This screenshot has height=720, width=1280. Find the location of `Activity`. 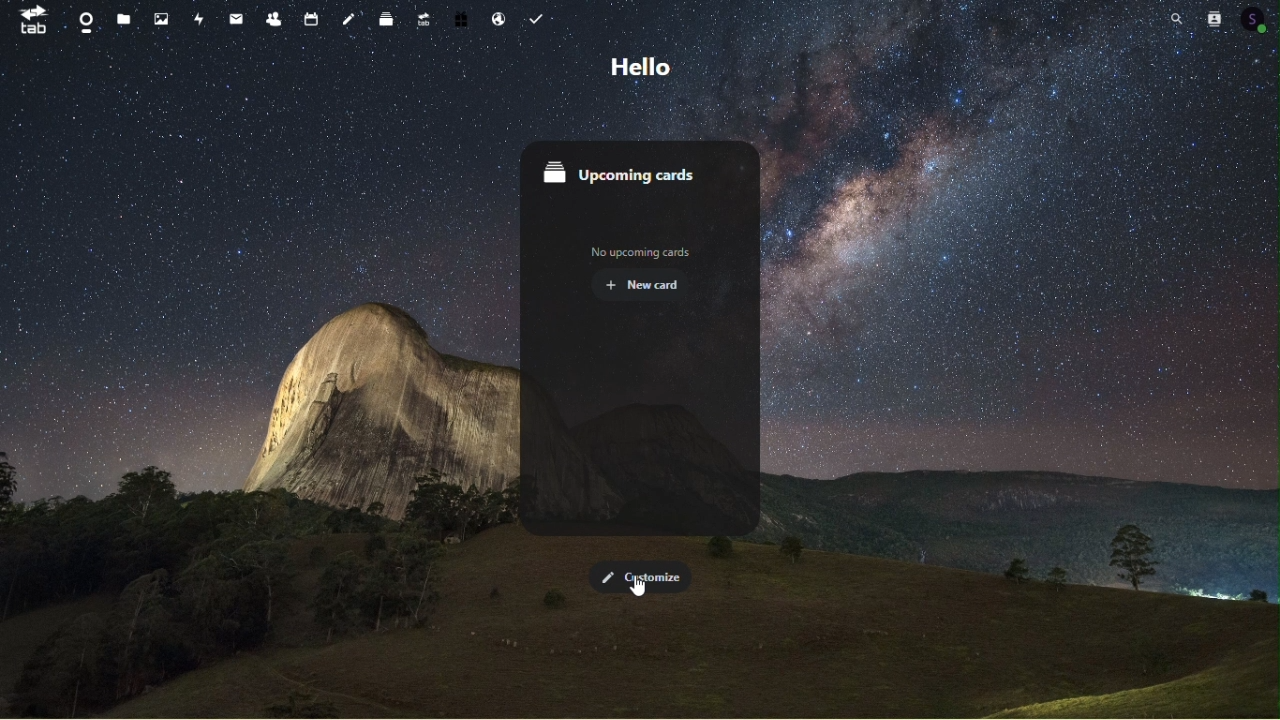

Activity is located at coordinates (202, 17).